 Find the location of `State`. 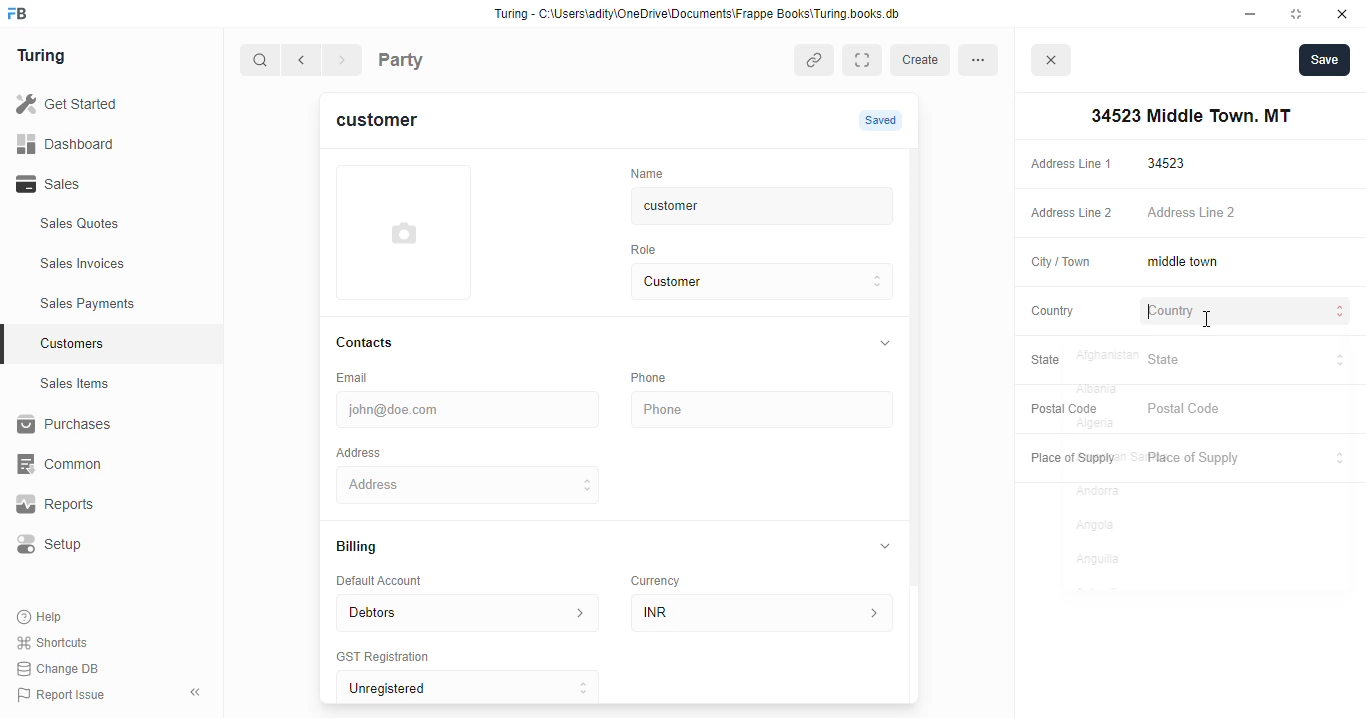

State is located at coordinates (1056, 361).